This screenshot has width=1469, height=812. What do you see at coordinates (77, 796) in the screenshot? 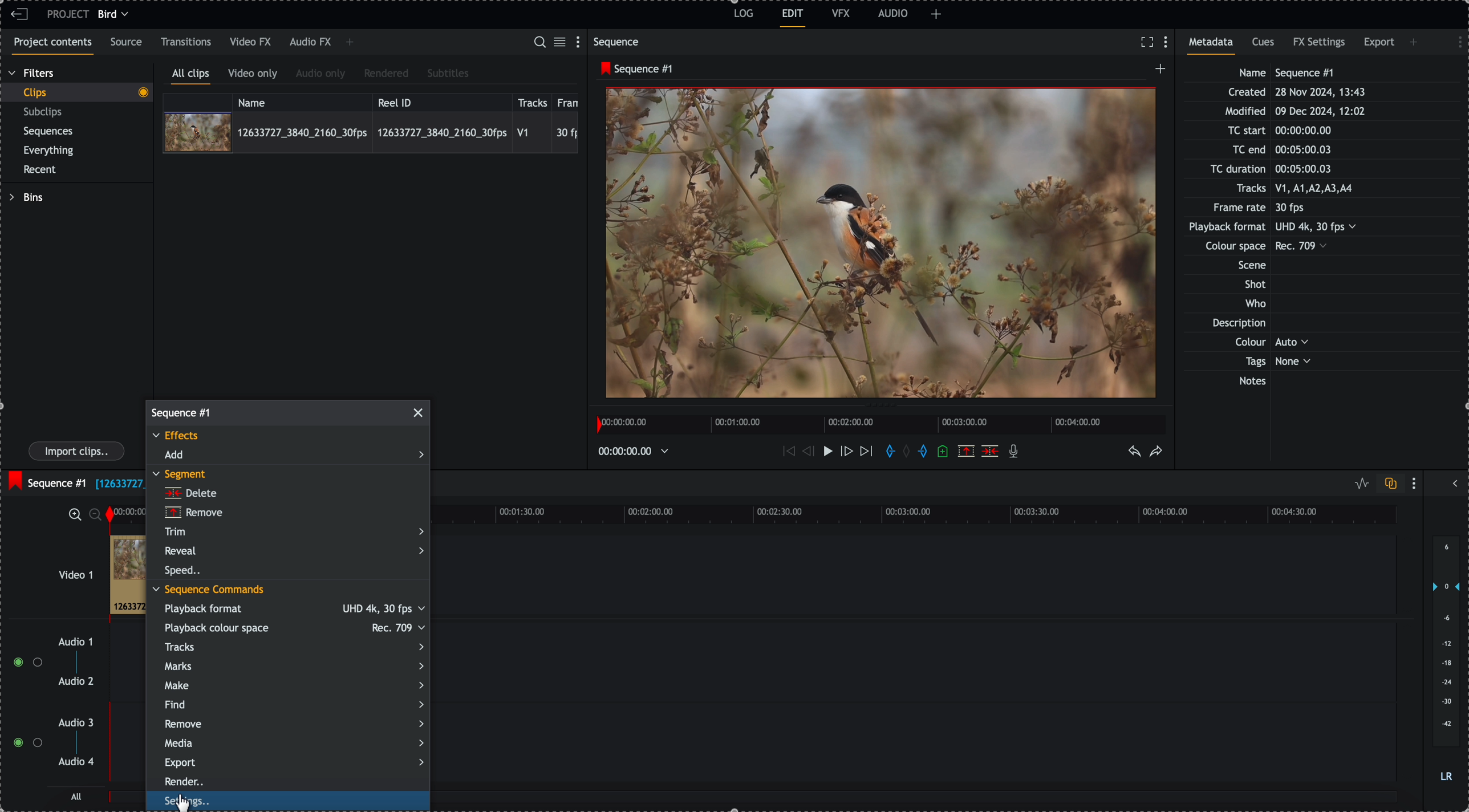
I see `all` at bounding box center [77, 796].